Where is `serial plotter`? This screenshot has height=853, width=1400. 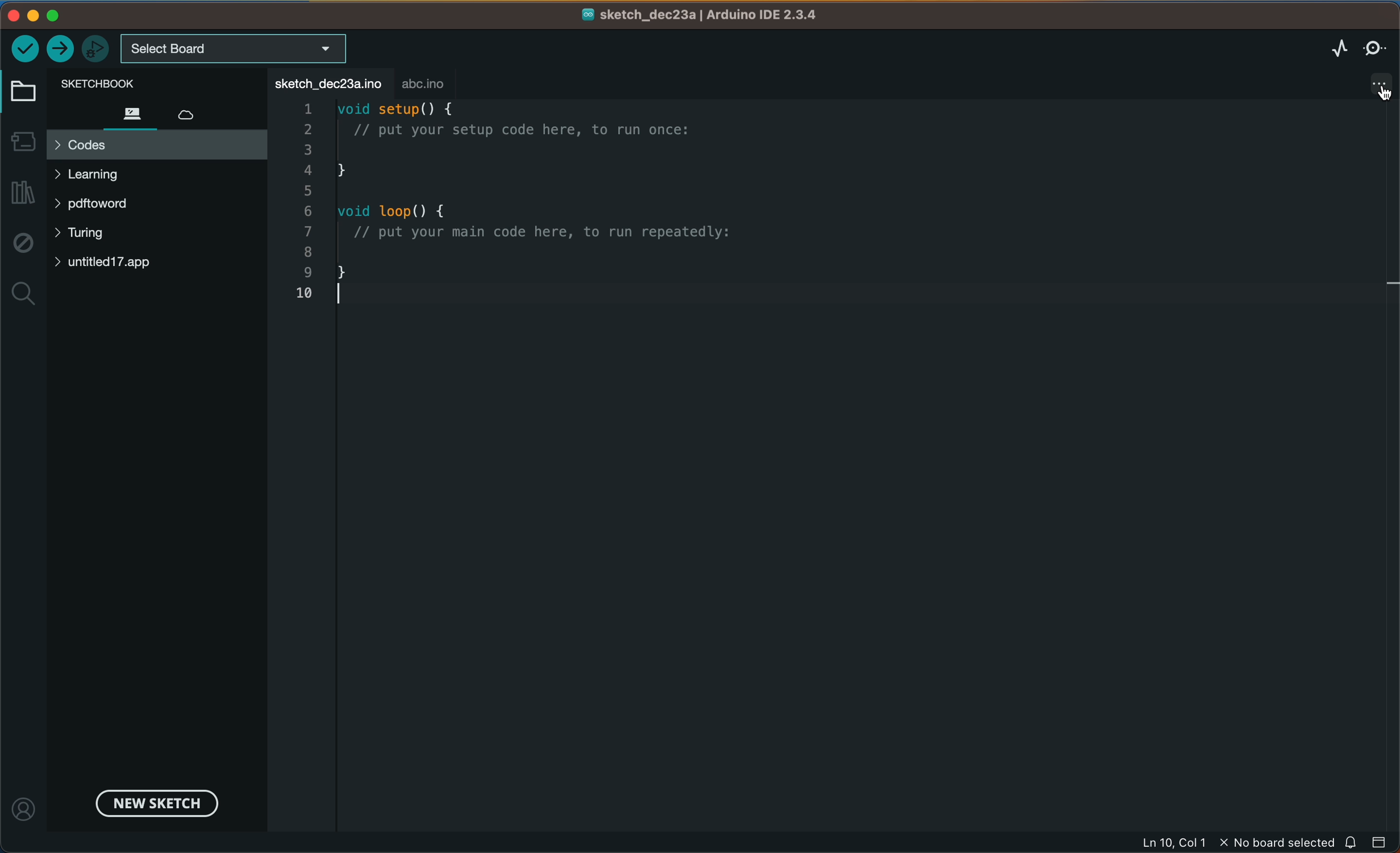
serial plotter is located at coordinates (1338, 46).